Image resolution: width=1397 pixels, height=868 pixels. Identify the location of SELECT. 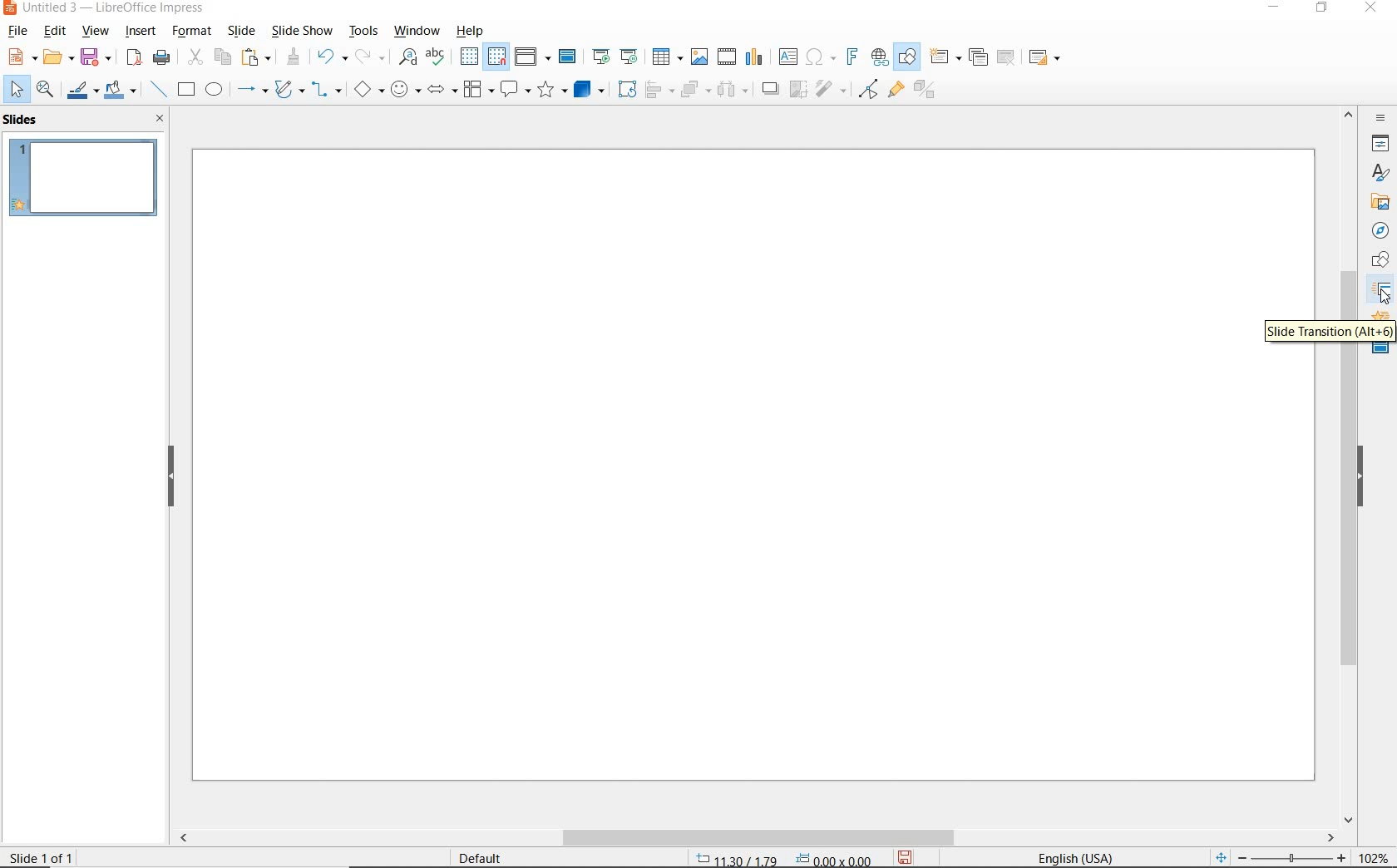
(13, 89).